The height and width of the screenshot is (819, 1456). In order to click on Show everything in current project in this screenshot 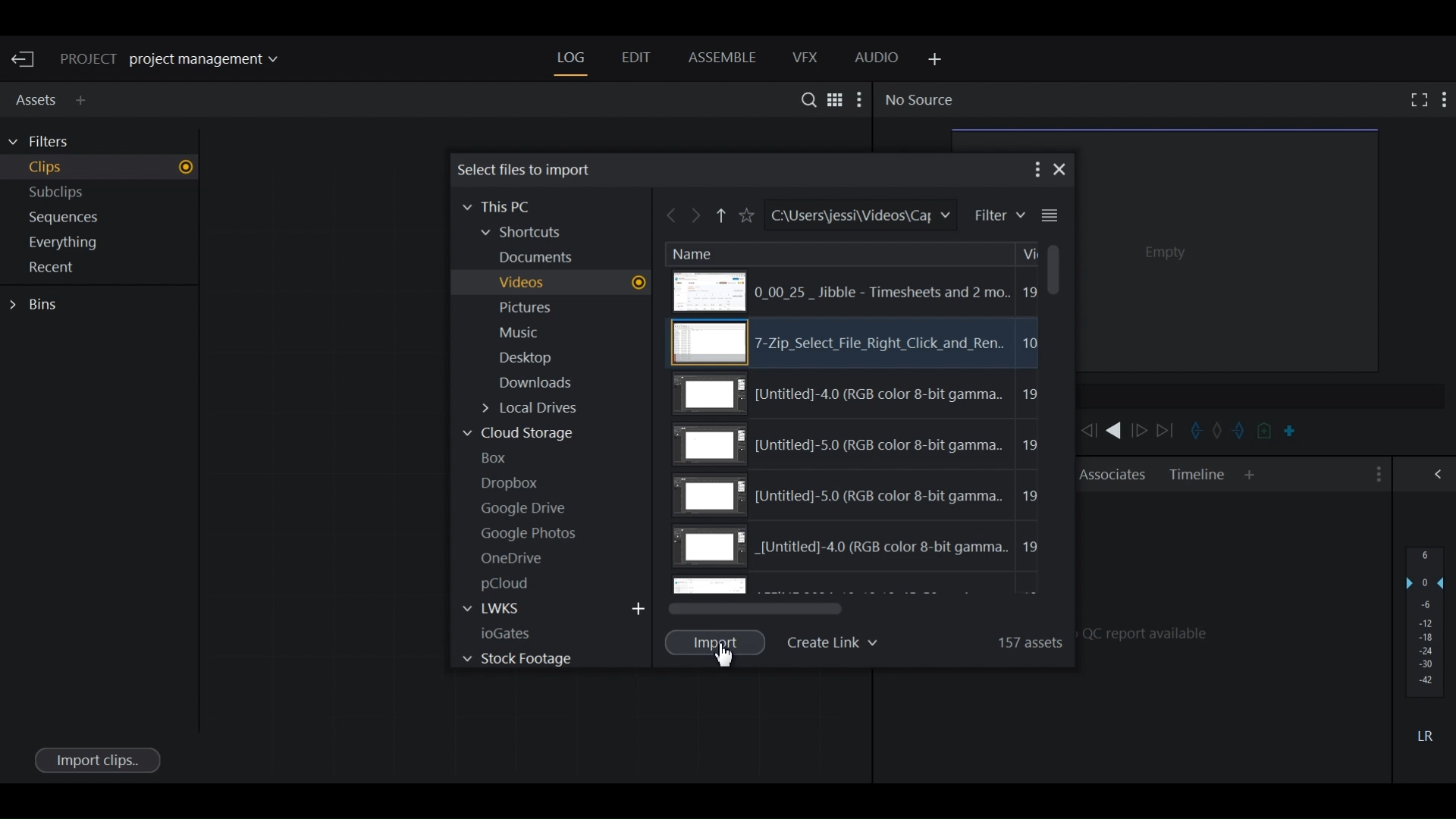, I will do `click(103, 244)`.